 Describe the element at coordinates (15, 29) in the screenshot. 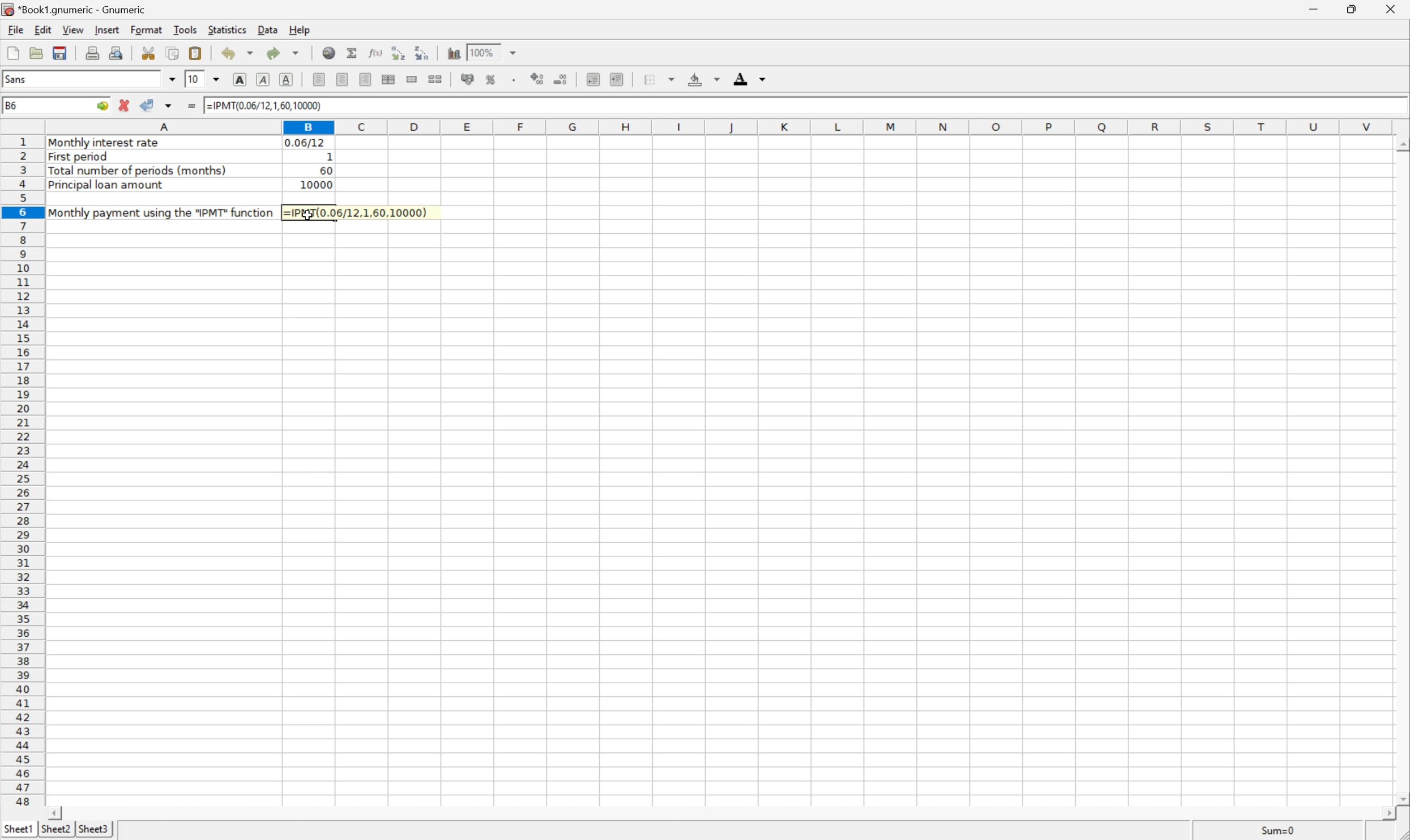

I see `File` at that location.